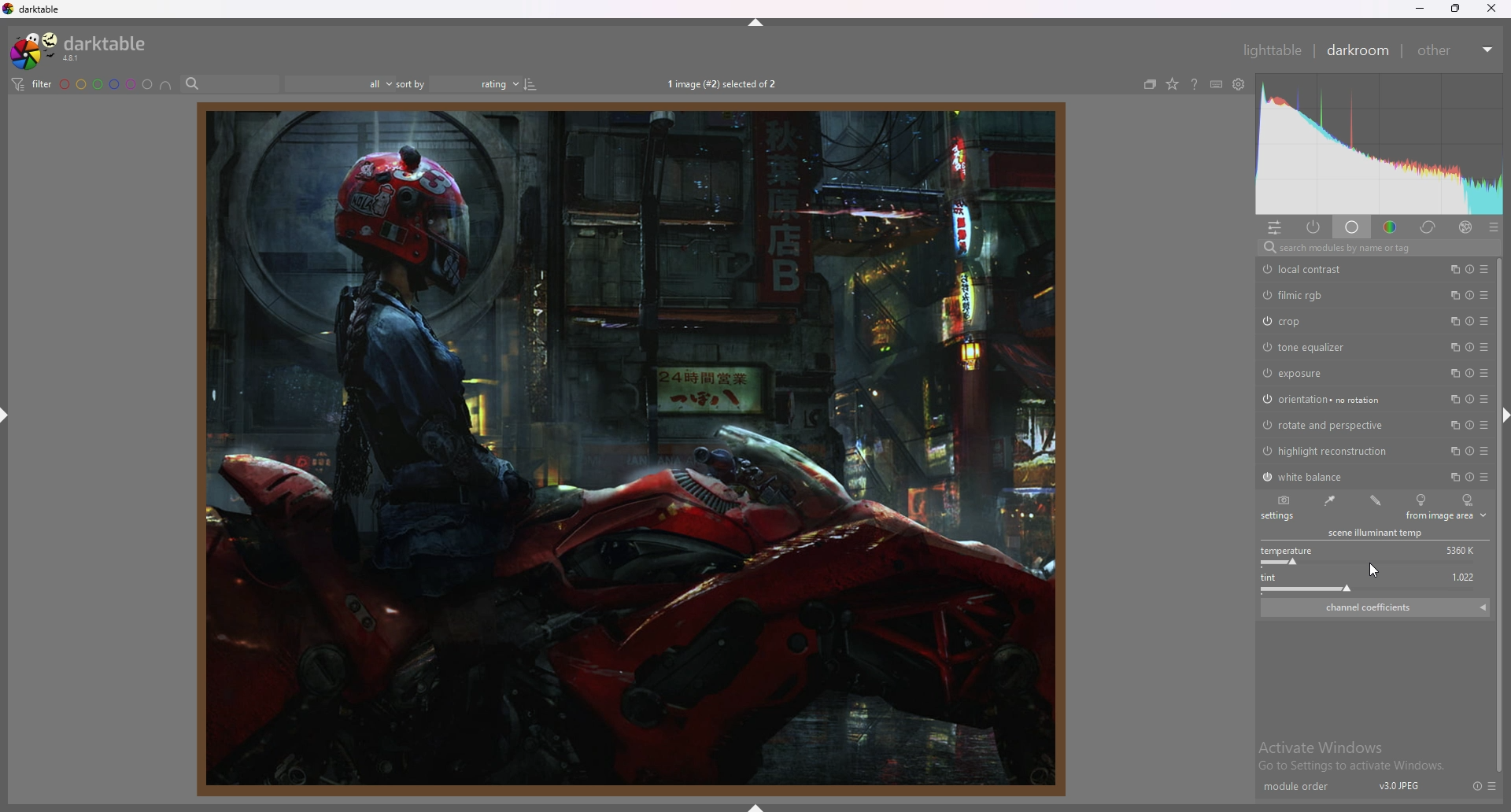 The image size is (1511, 812). Describe the element at coordinates (1376, 500) in the screenshot. I see `user modified` at that location.